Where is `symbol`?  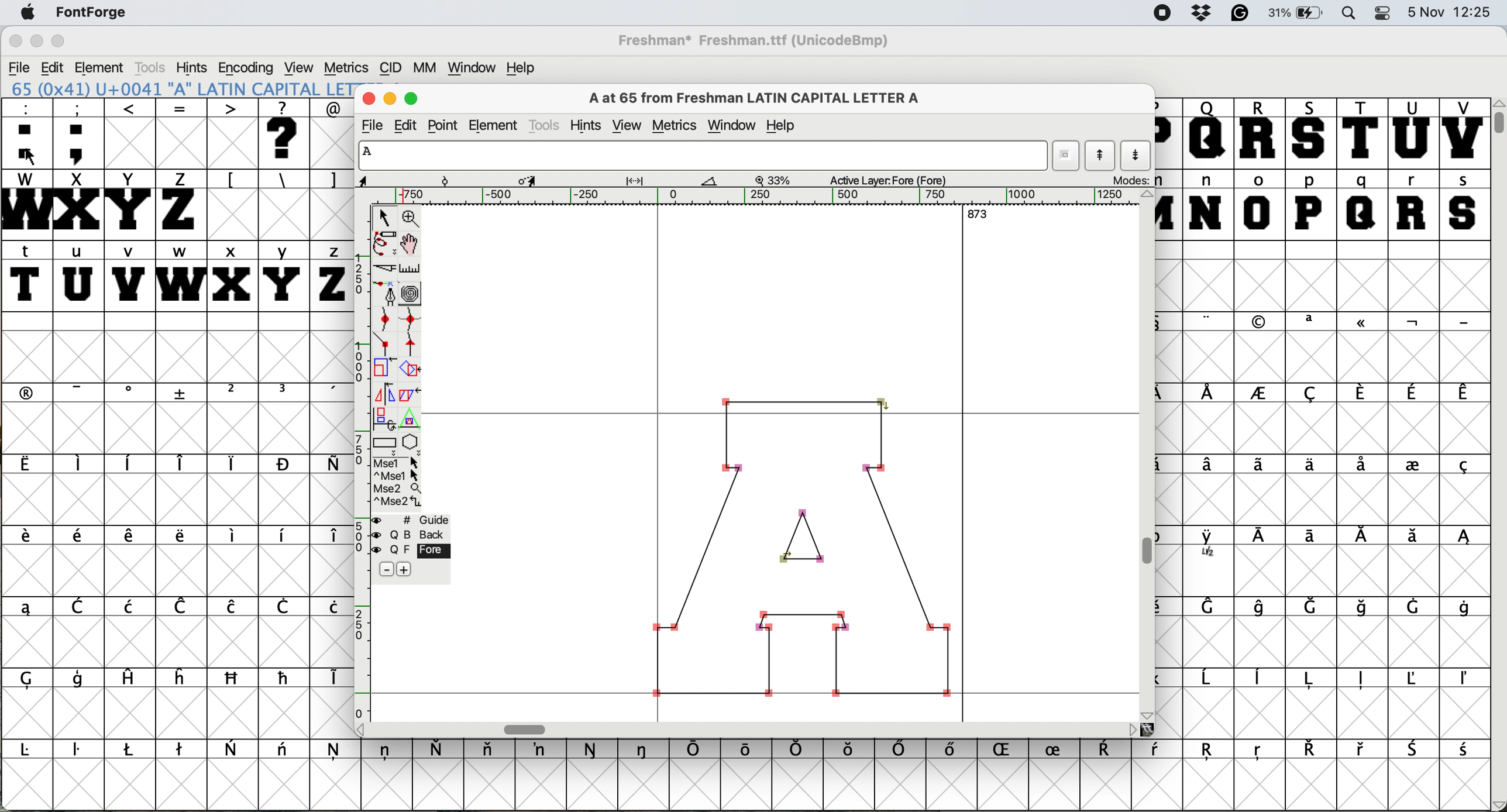 symbol is located at coordinates (183, 393).